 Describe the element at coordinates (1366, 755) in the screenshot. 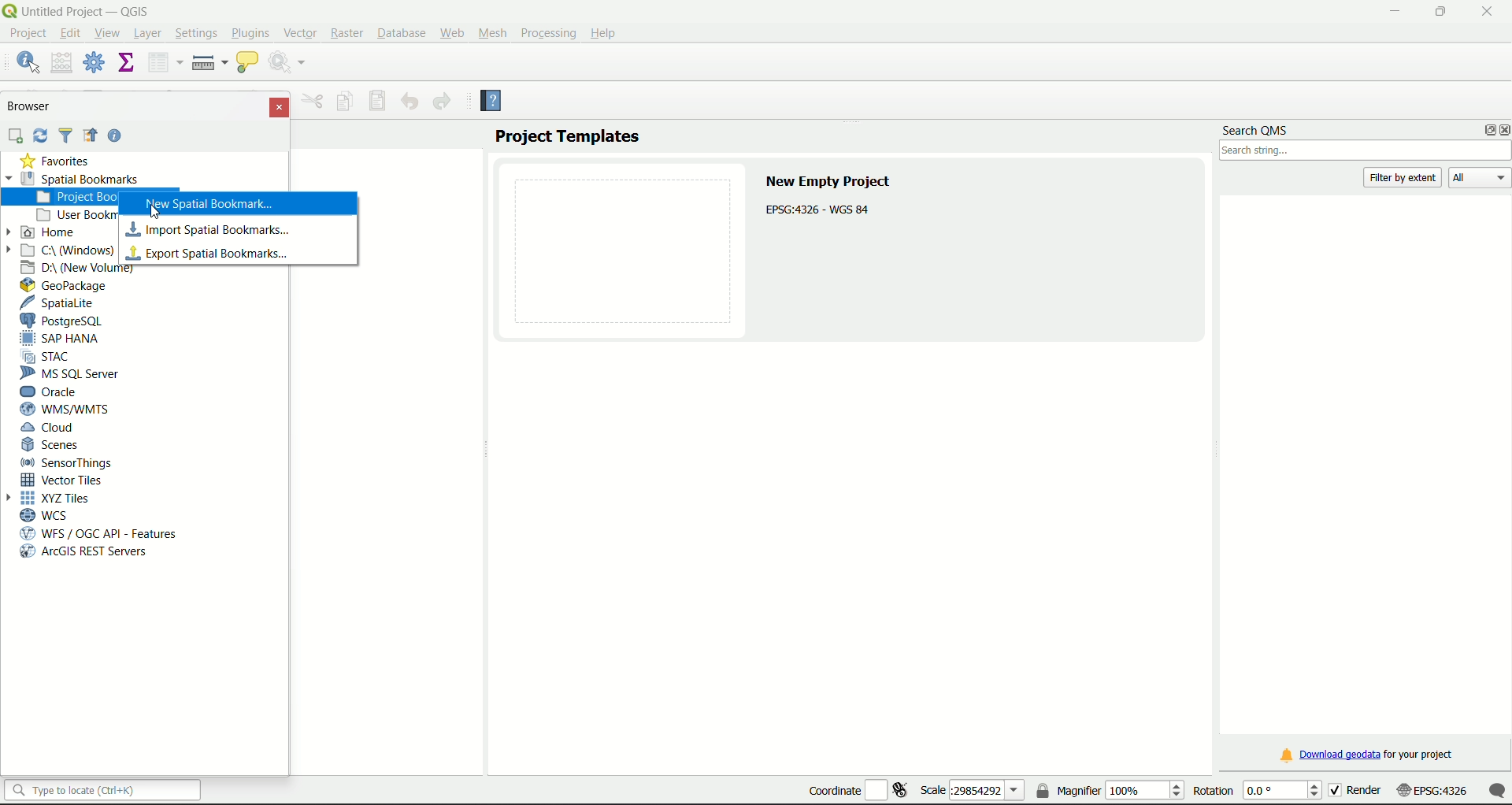

I see `download link` at that location.